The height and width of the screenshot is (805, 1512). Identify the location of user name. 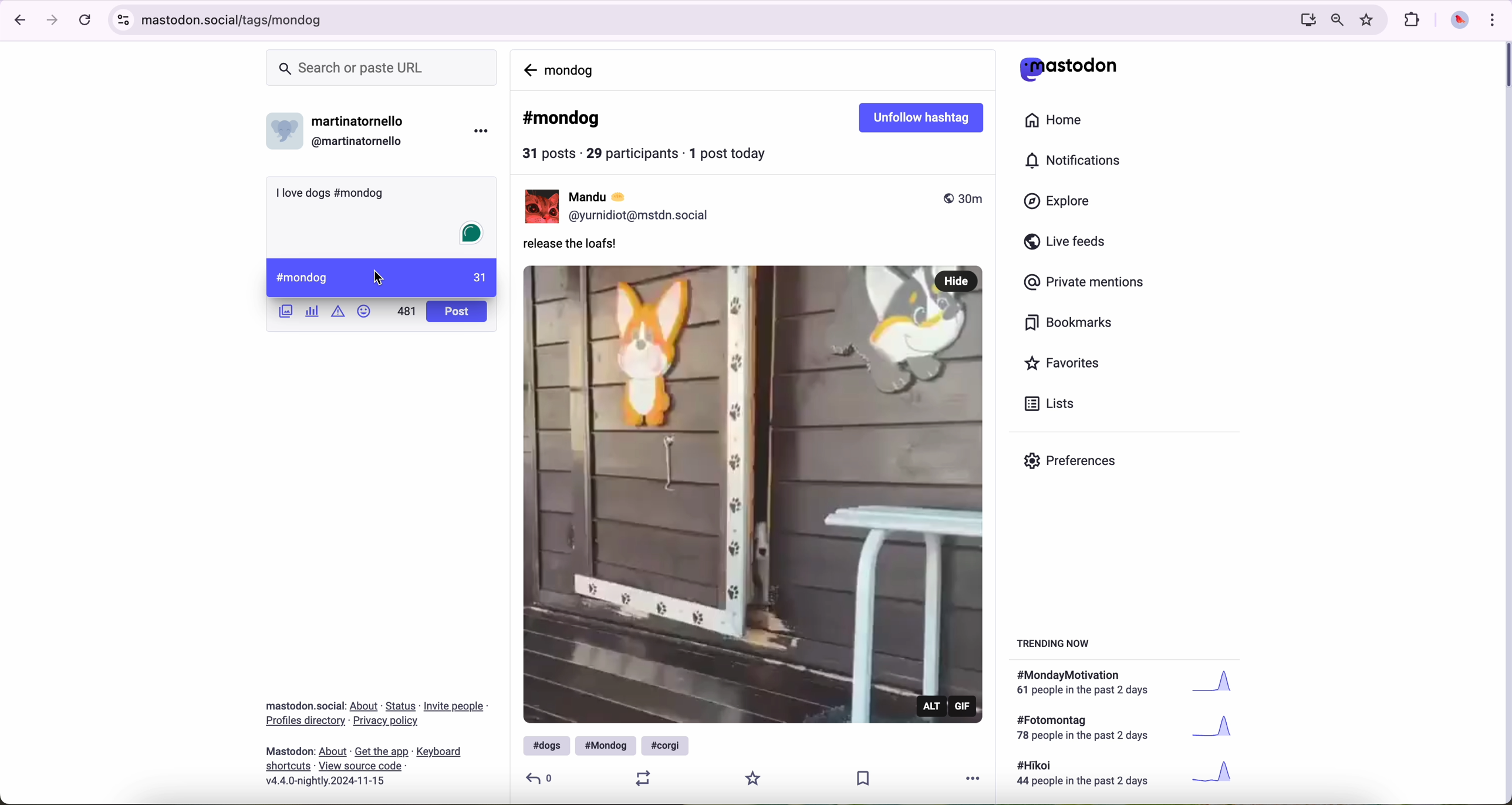
(607, 197).